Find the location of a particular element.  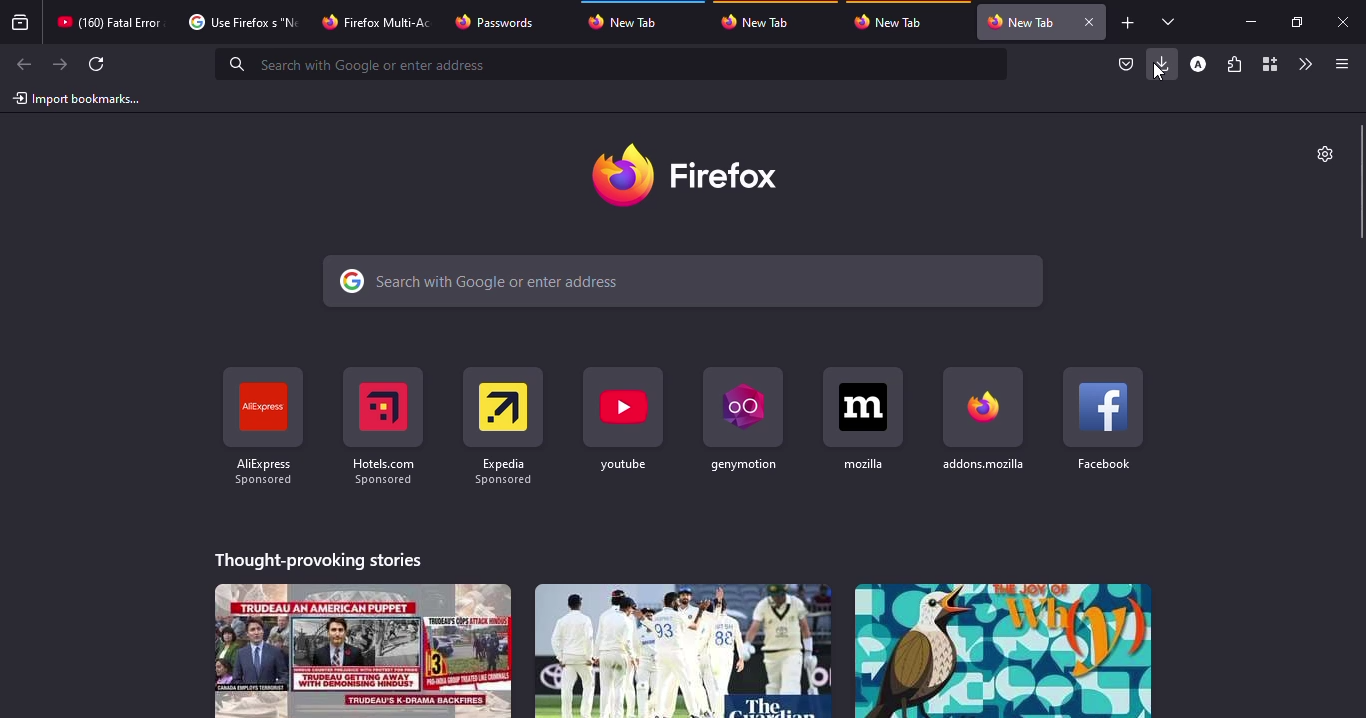

minimize is located at coordinates (1250, 21).